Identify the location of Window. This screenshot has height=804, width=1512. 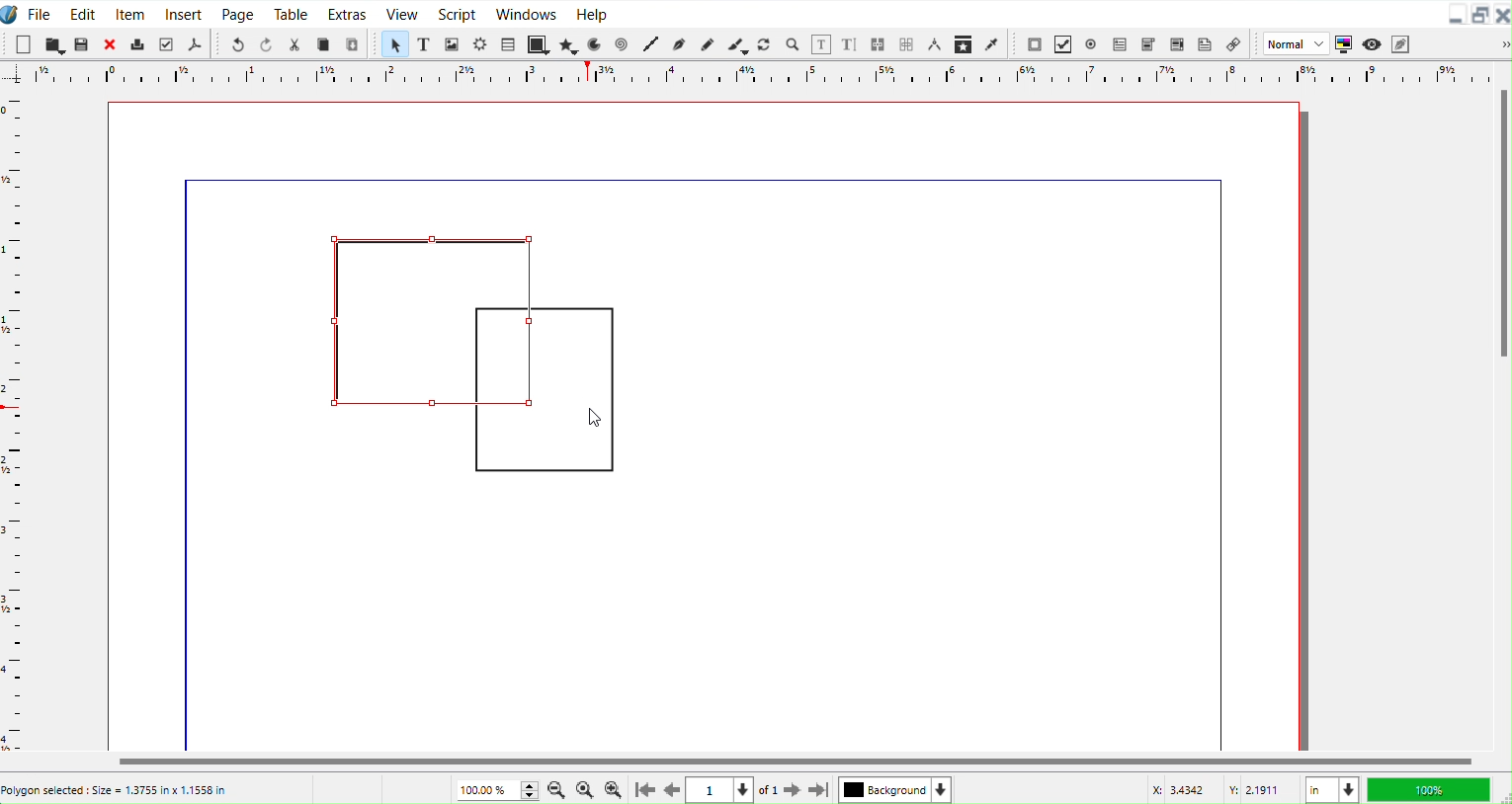
(527, 13).